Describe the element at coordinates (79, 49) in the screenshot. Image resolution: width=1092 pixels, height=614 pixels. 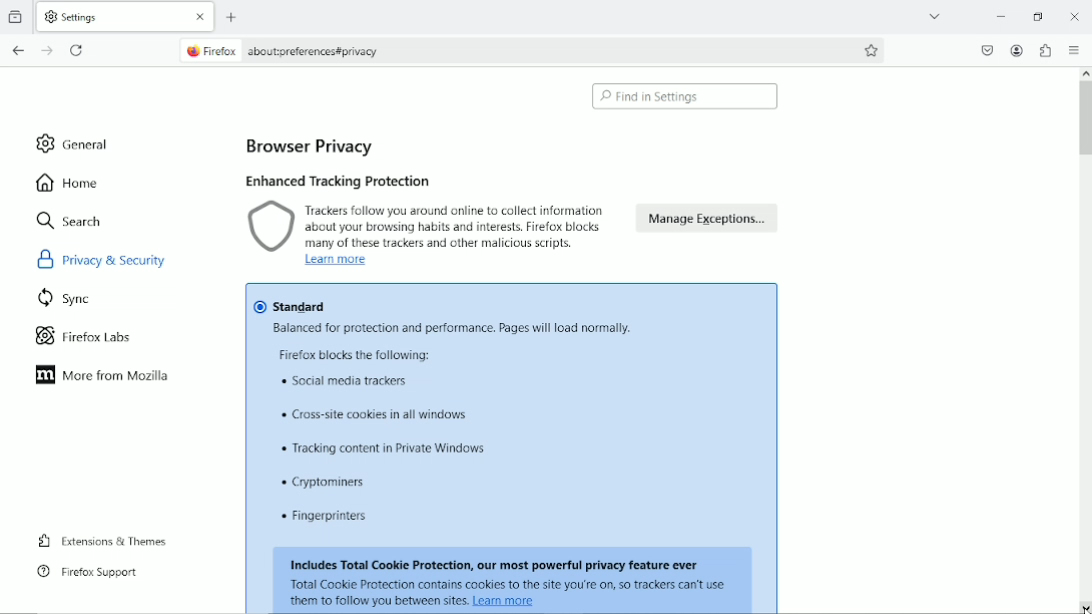
I see `reload current page` at that location.